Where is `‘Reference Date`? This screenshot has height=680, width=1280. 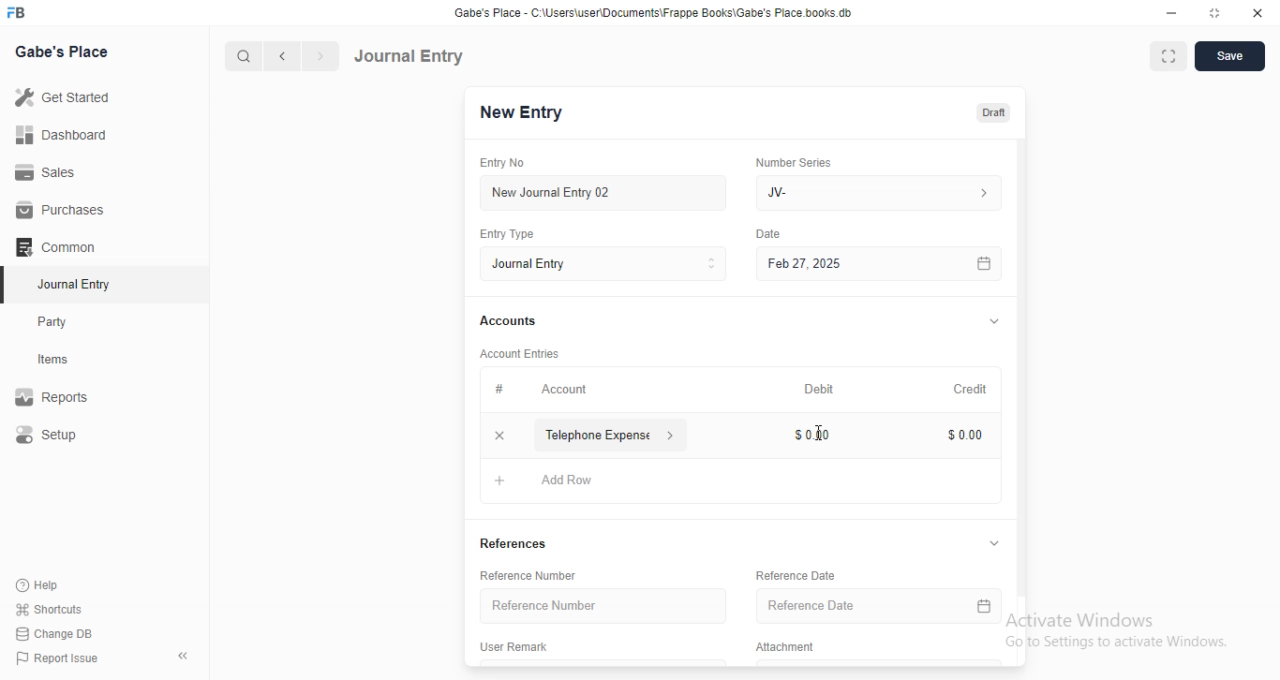
‘Reference Date is located at coordinates (788, 576).